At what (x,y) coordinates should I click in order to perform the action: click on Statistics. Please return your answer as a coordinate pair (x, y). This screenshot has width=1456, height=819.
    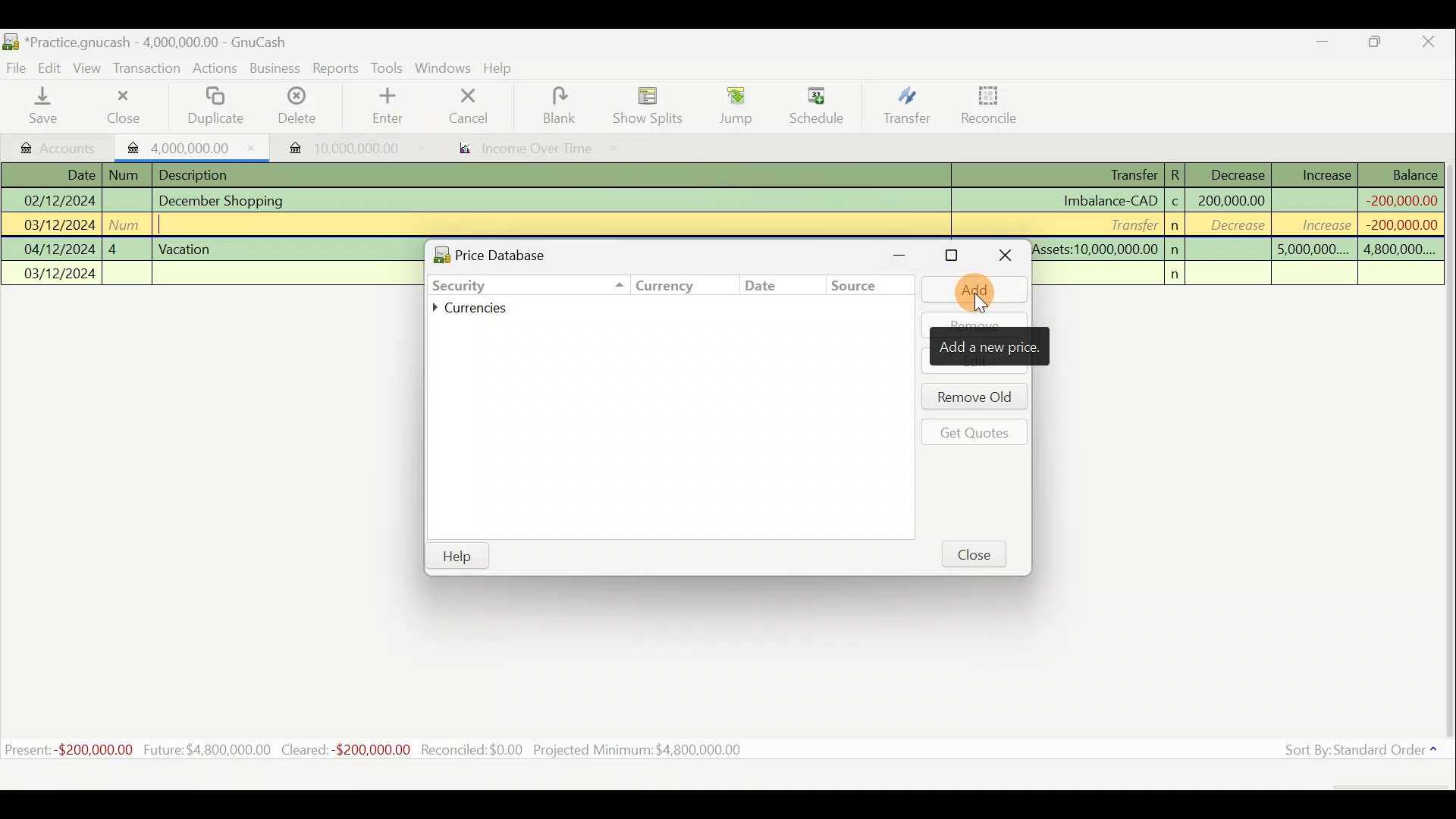
    Looking at the image, I should click on (399, 750).